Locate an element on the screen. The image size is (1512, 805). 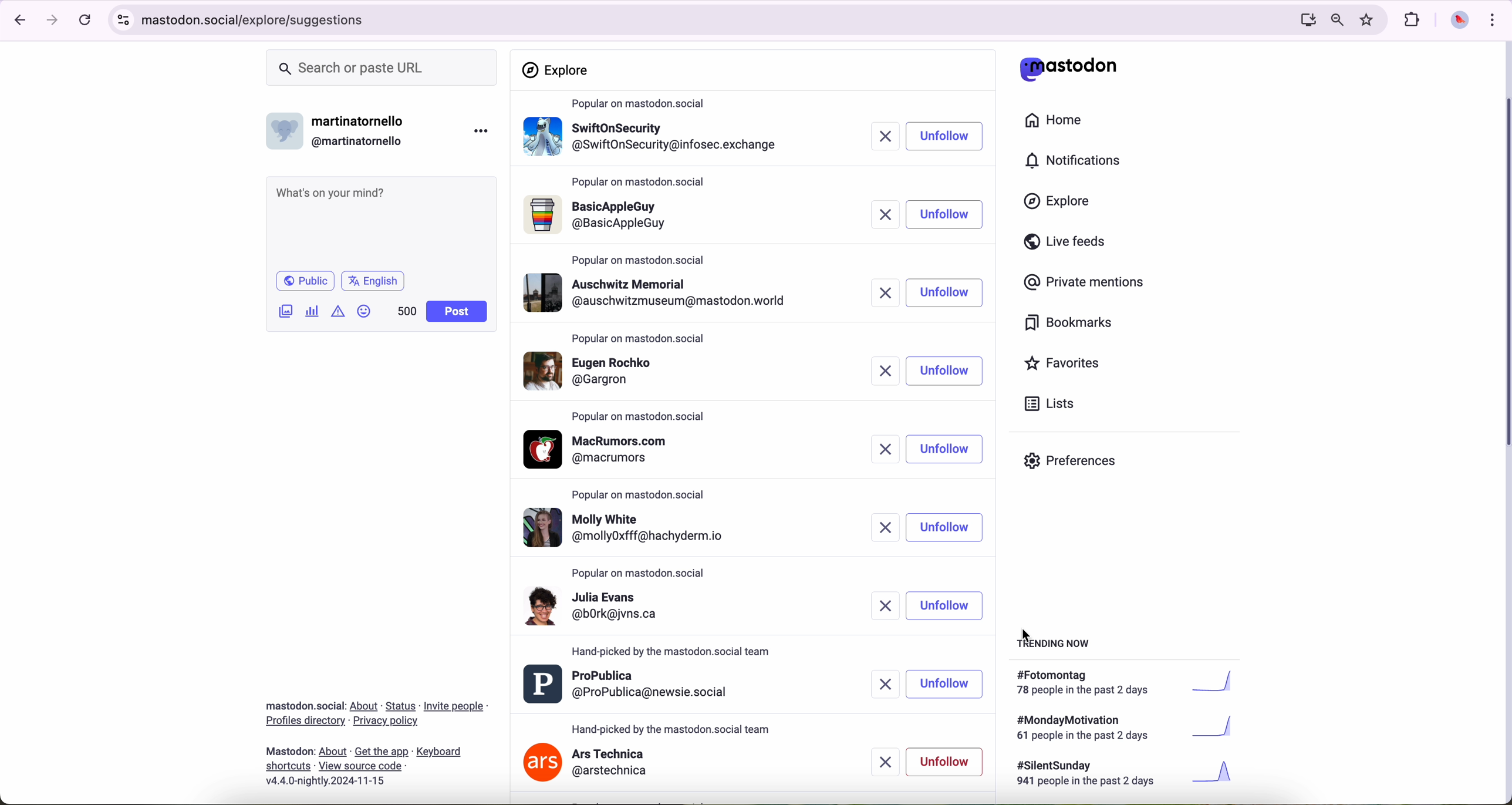
popular on mastodon.social is located at coordinates (640, 258).